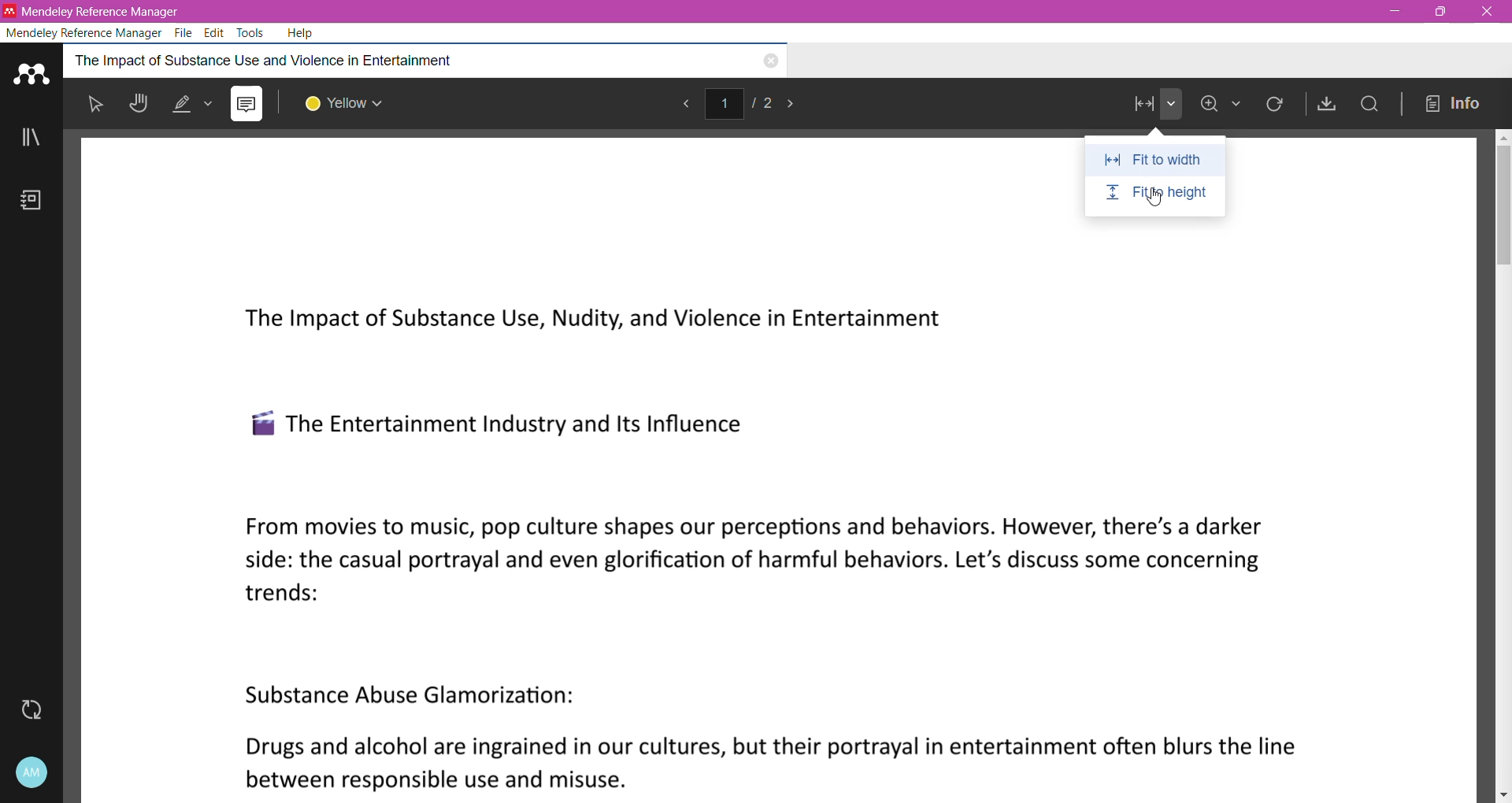 This screenshot has height=803, width=1512. Describe the element at coordinates (1503, 464) in the screenshot. I see `Vertical Scroll Bar` at that location.